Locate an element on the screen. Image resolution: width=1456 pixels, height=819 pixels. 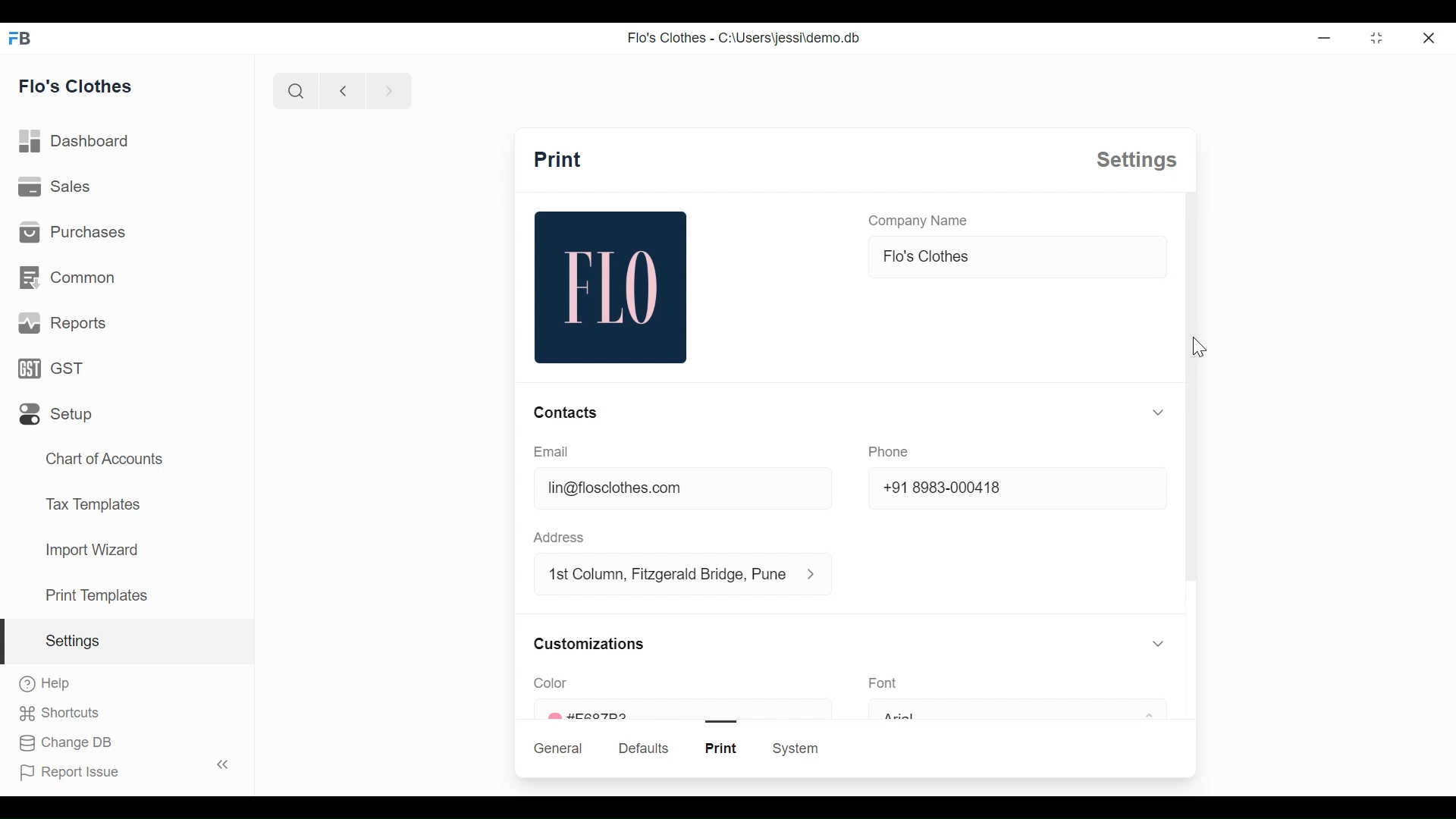
next is located at coordinates (390, 90).